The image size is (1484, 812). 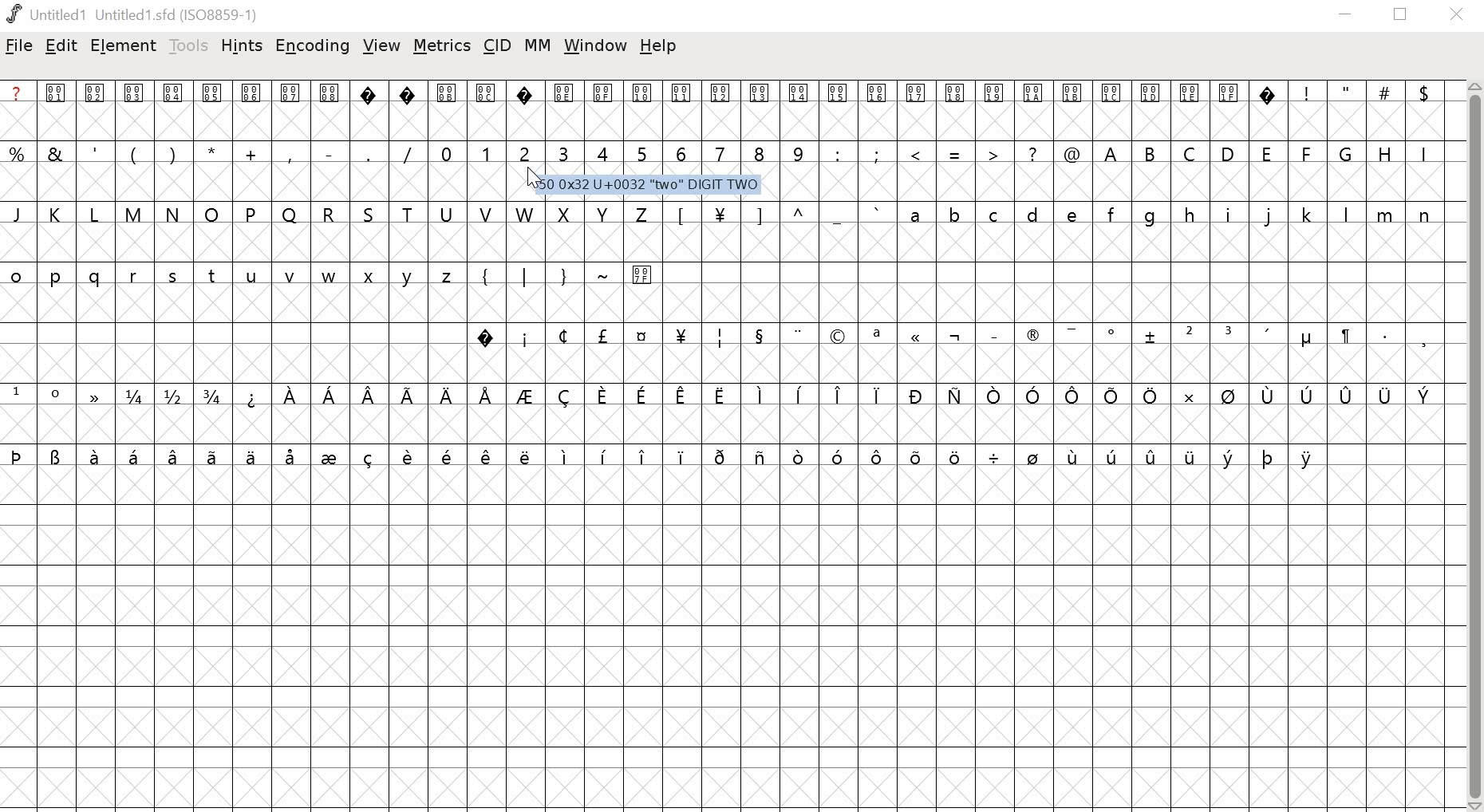 I want to click on file, so click(x=18, y=48).